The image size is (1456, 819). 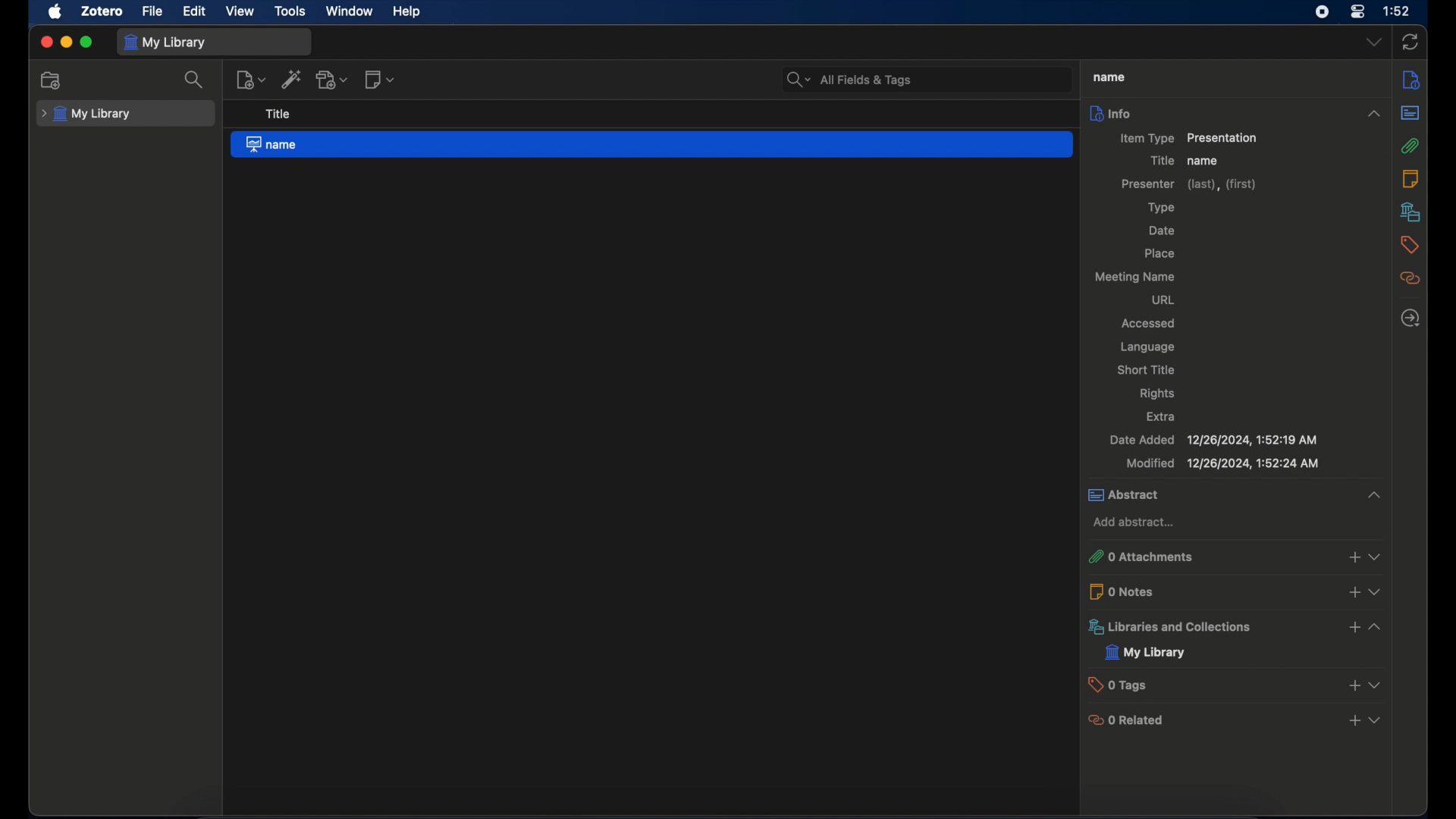 I want to click on short title, so click(x=1150, y=371).